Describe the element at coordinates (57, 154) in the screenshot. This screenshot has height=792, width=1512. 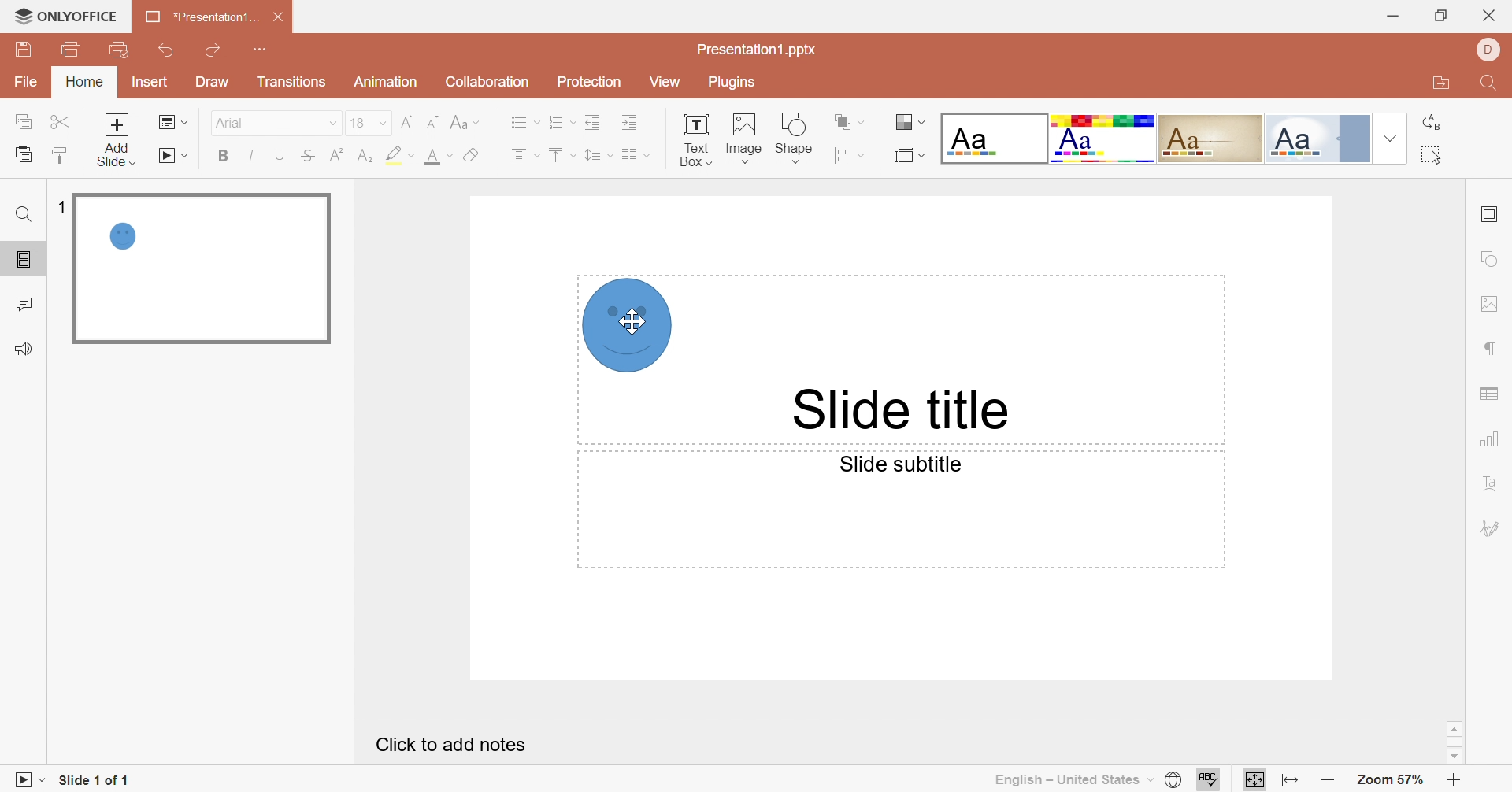
I see `Copy style` at that location.